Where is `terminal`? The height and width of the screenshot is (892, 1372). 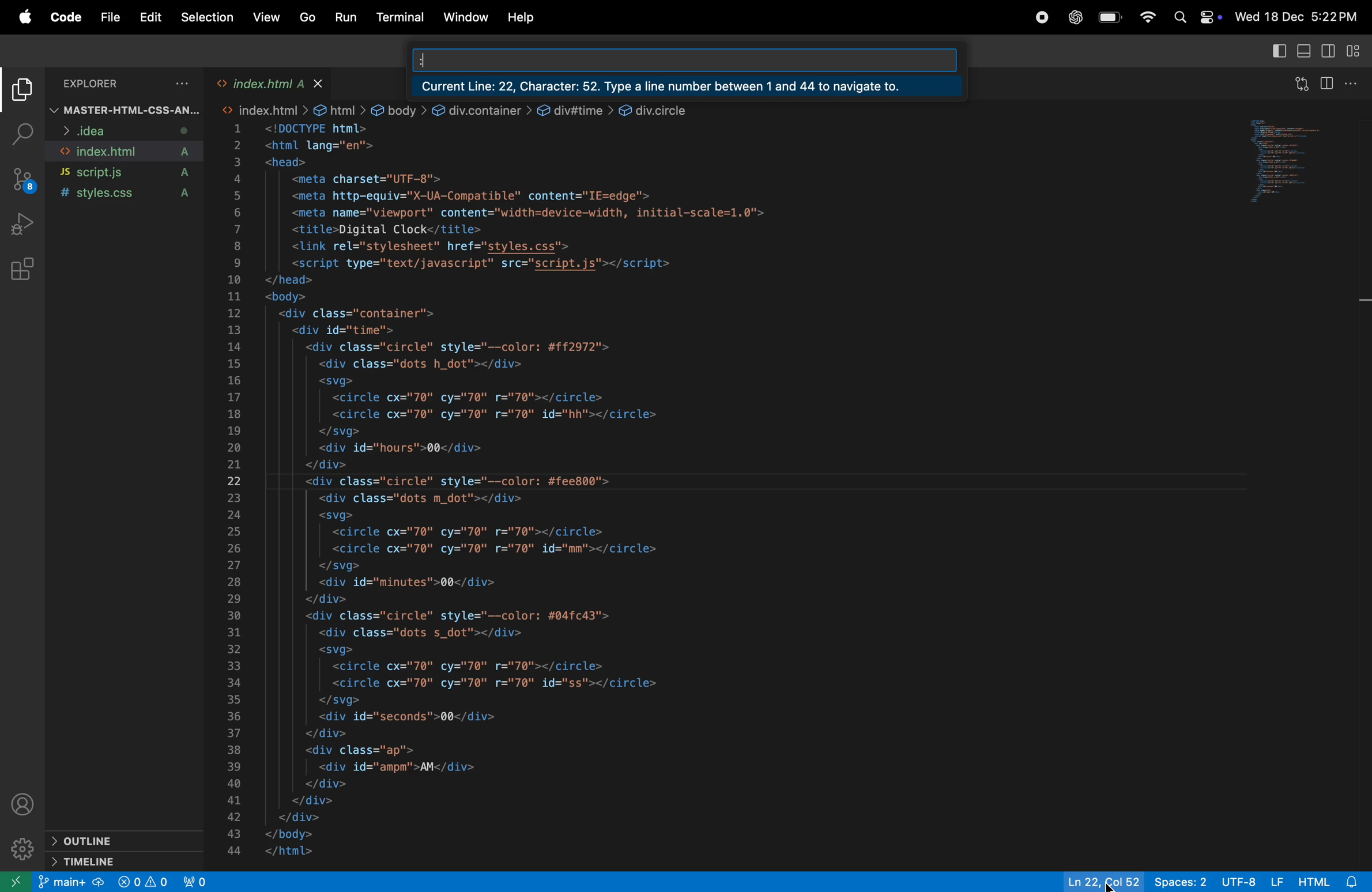 terminal is located at coordinates (399, 19).